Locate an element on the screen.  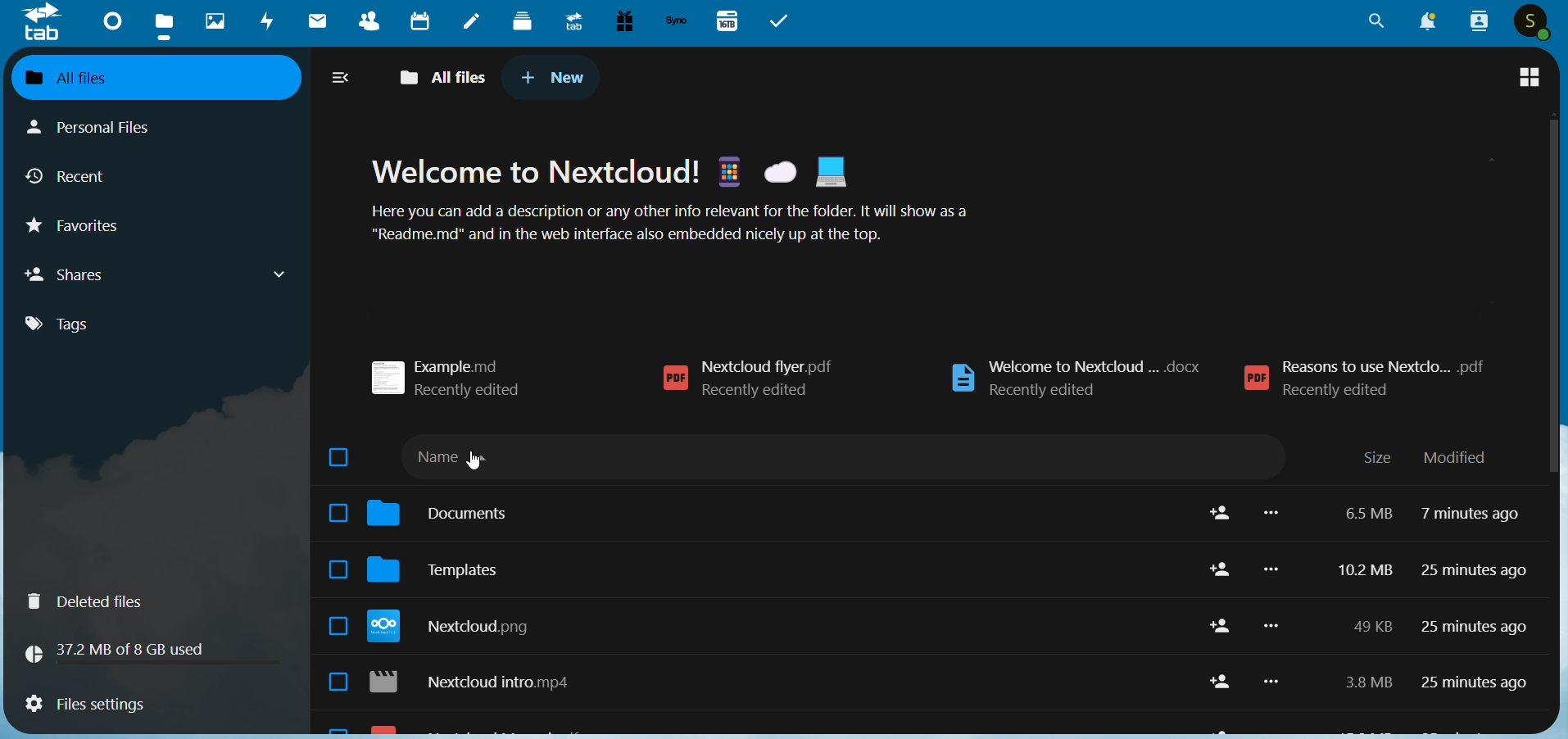
example.md recently edited is located at coordinates (451, 376).